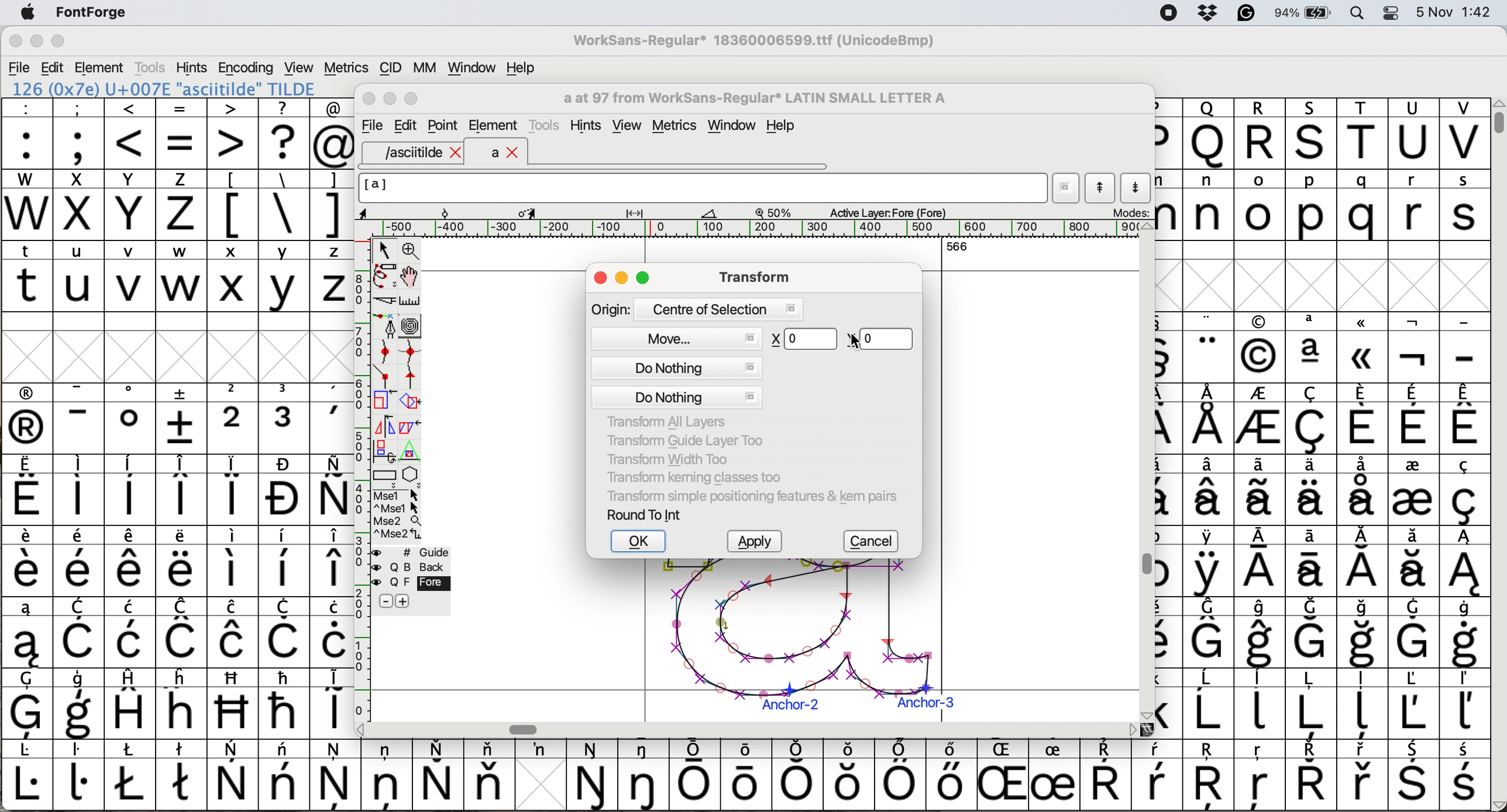  Describe the element at coordinates (701, 188) in the screenshot. I see `glyph name` at that location.